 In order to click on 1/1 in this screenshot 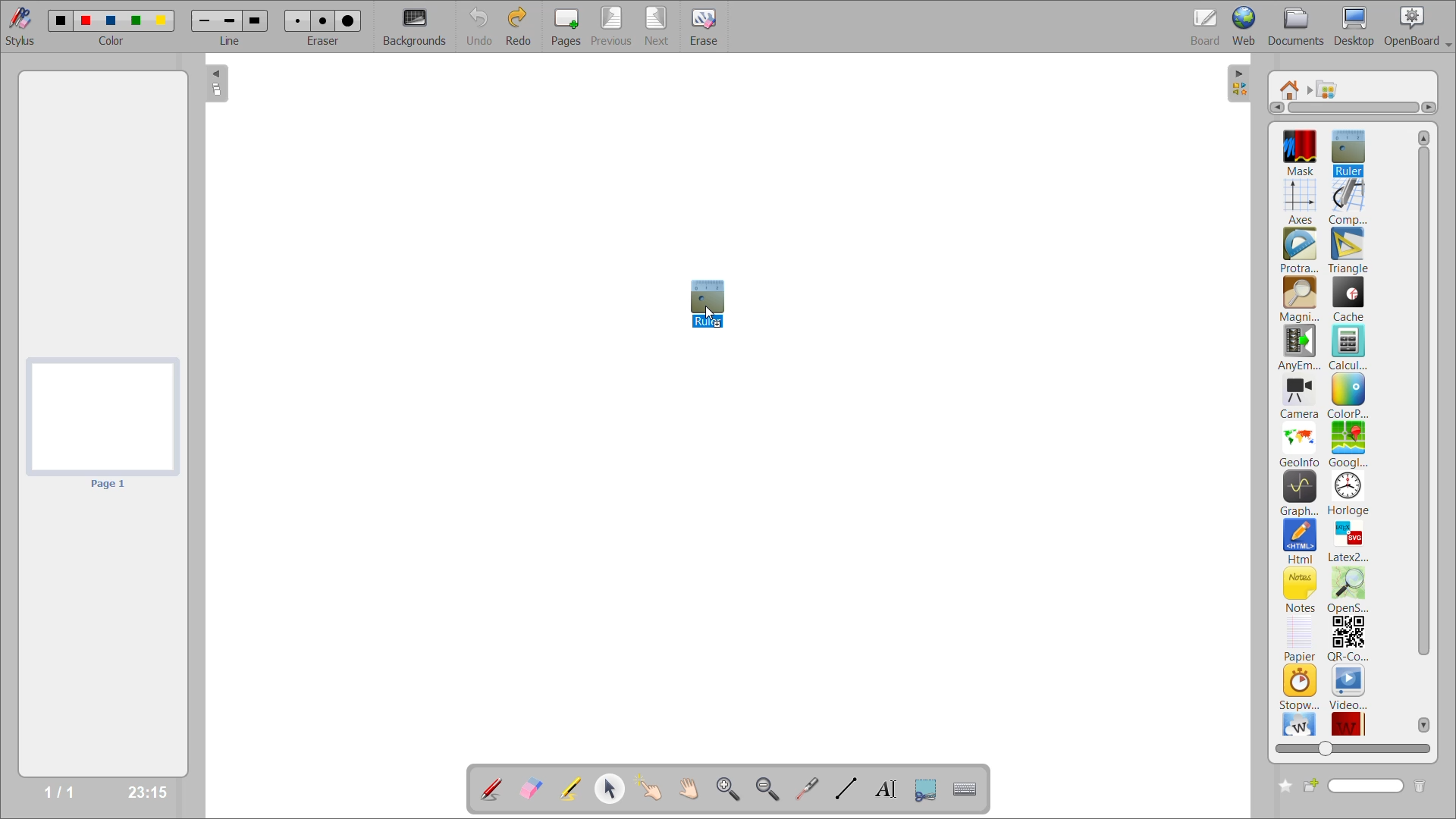, I will do `click(64, 792)`.